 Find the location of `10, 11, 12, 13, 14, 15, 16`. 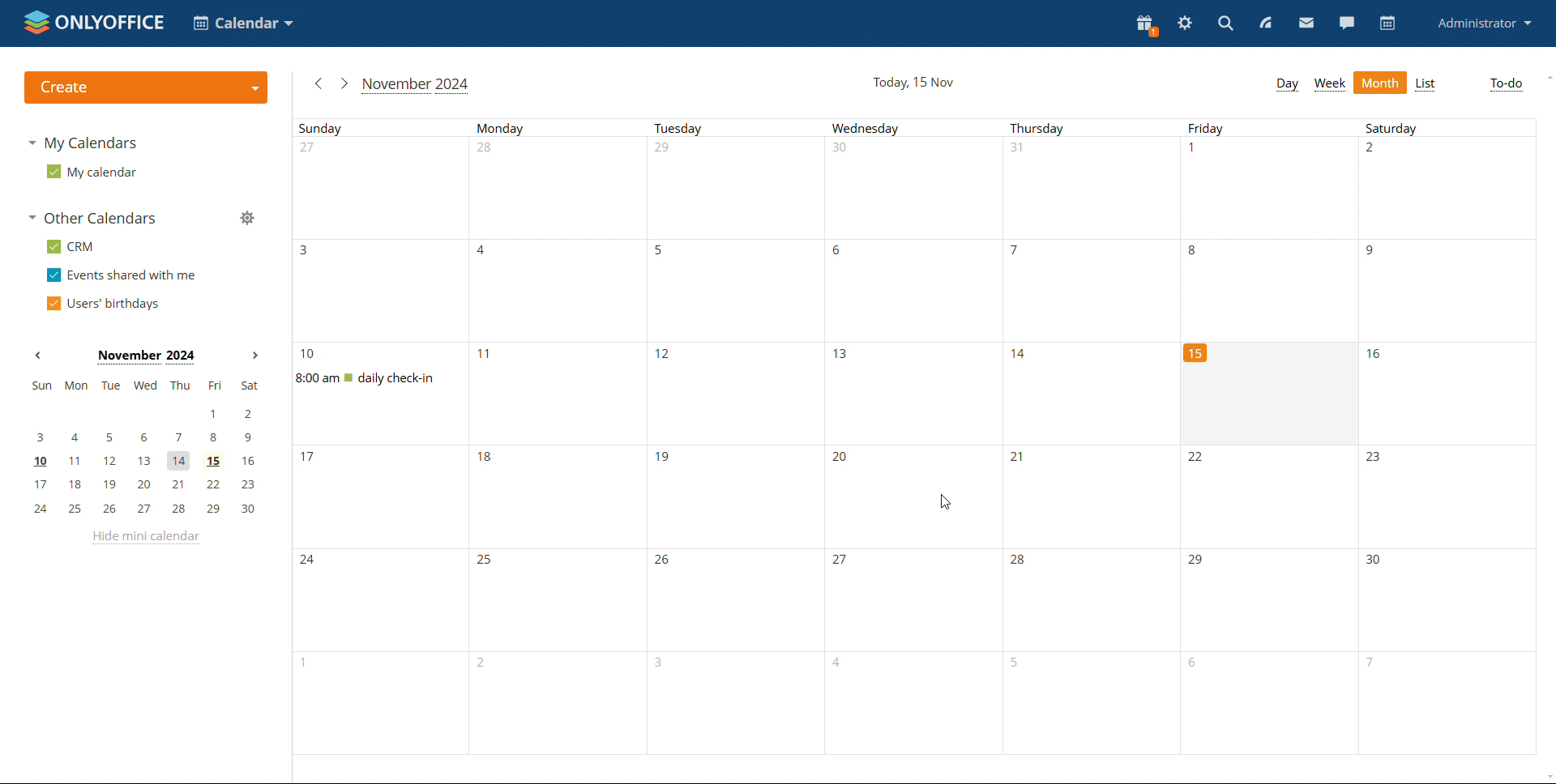

10, 11, 12, 13, 14, 15, 16 is located at coordinates (145, 460).